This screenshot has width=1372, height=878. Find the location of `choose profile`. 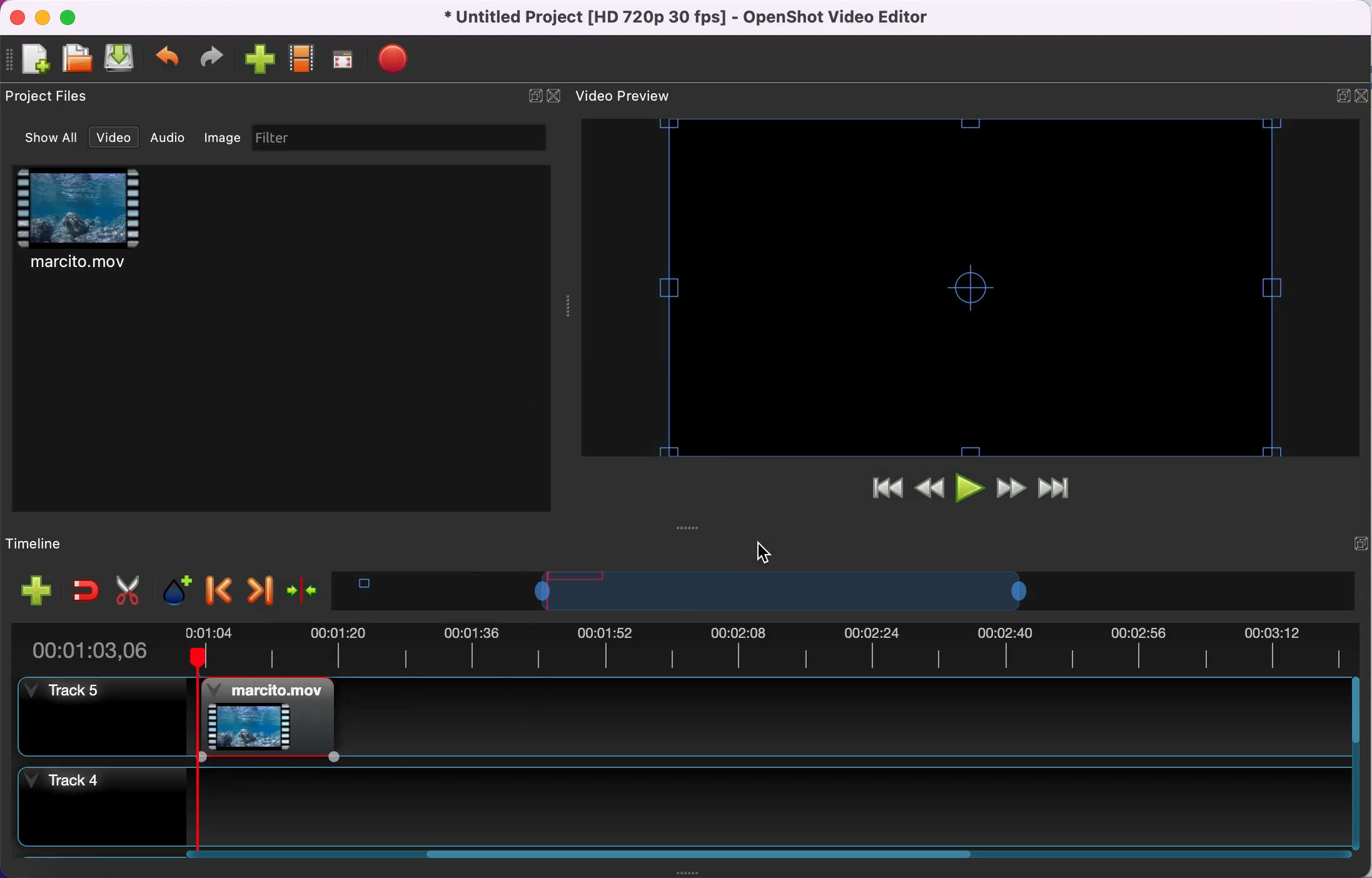

choose profile is located at coordinates (302, 60).